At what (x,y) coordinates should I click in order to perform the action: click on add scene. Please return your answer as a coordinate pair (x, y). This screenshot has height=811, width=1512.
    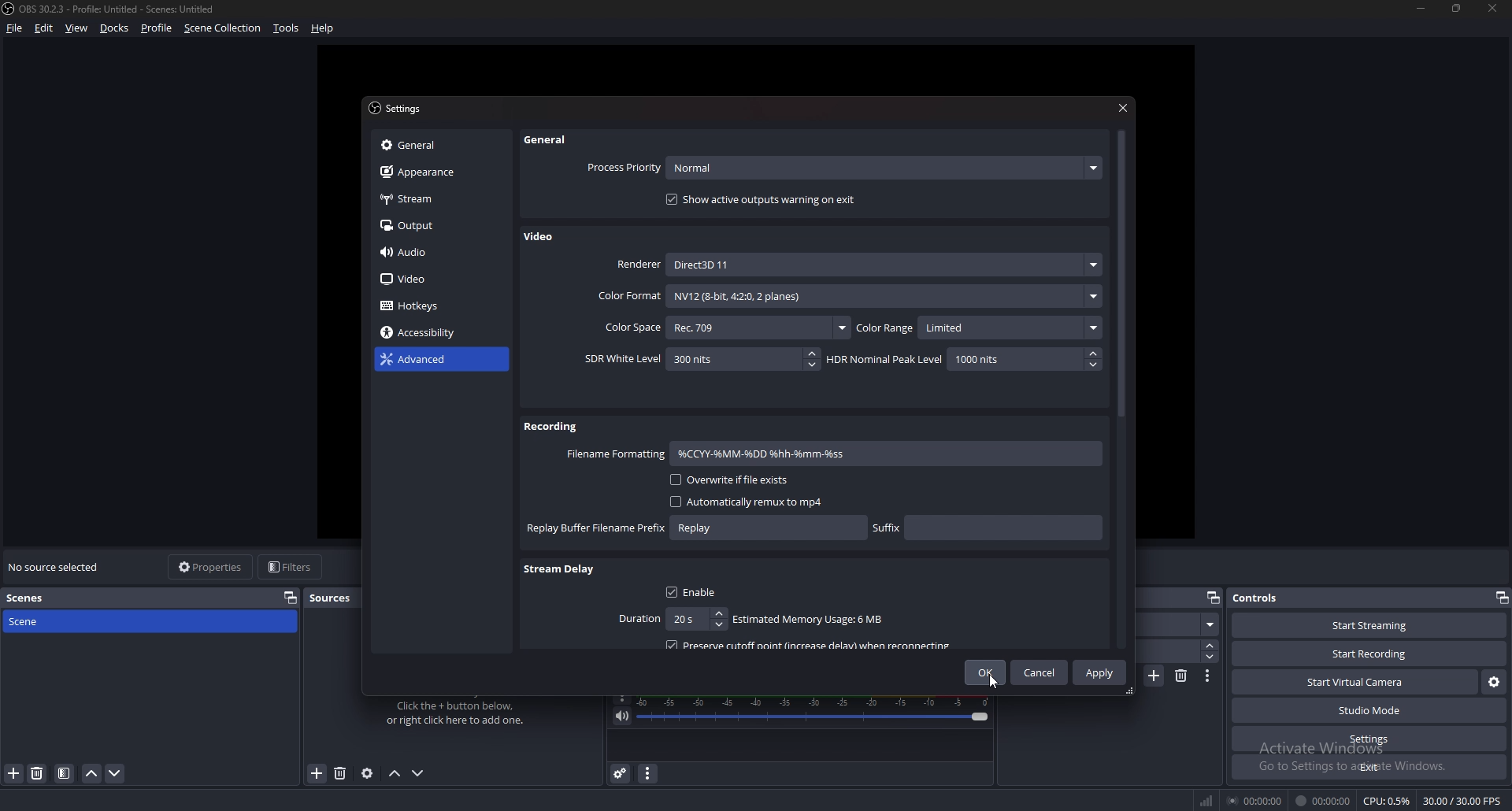
    Looking at the image, I should click on (13, 774).